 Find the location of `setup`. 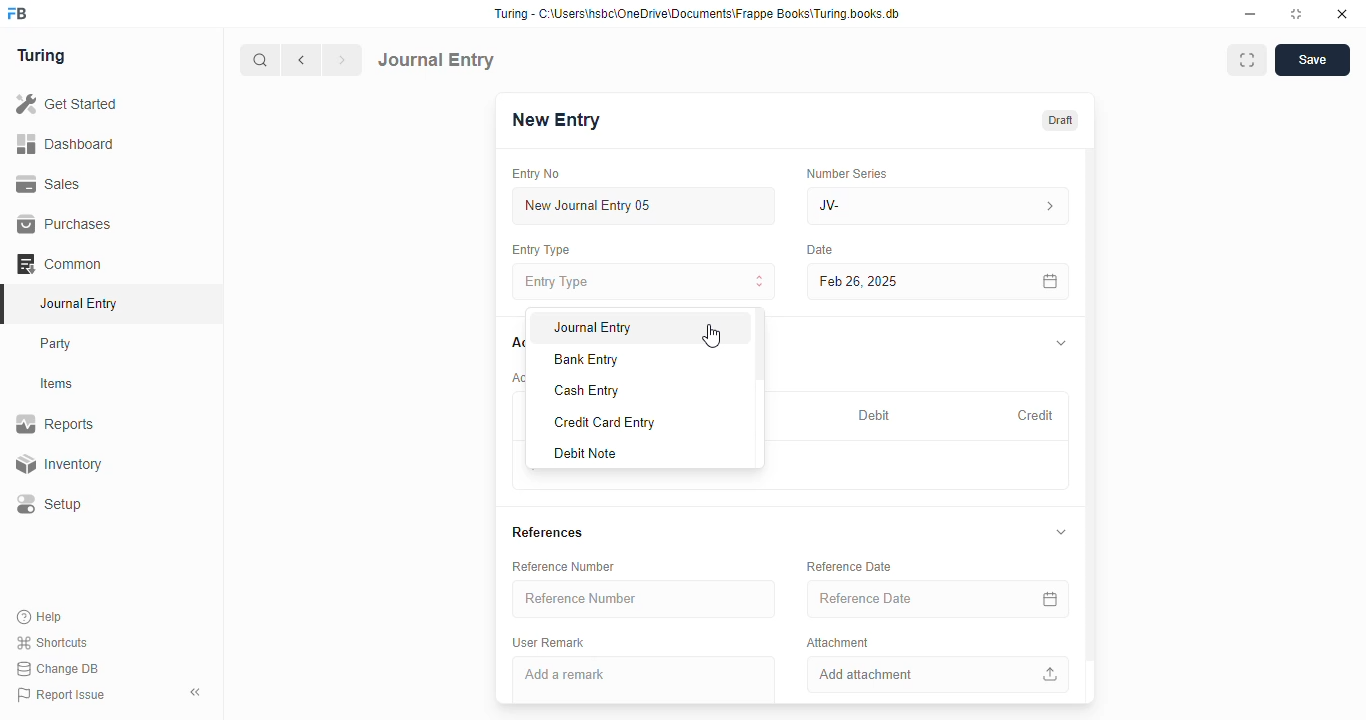

setup is located at coordinates (51, 505).